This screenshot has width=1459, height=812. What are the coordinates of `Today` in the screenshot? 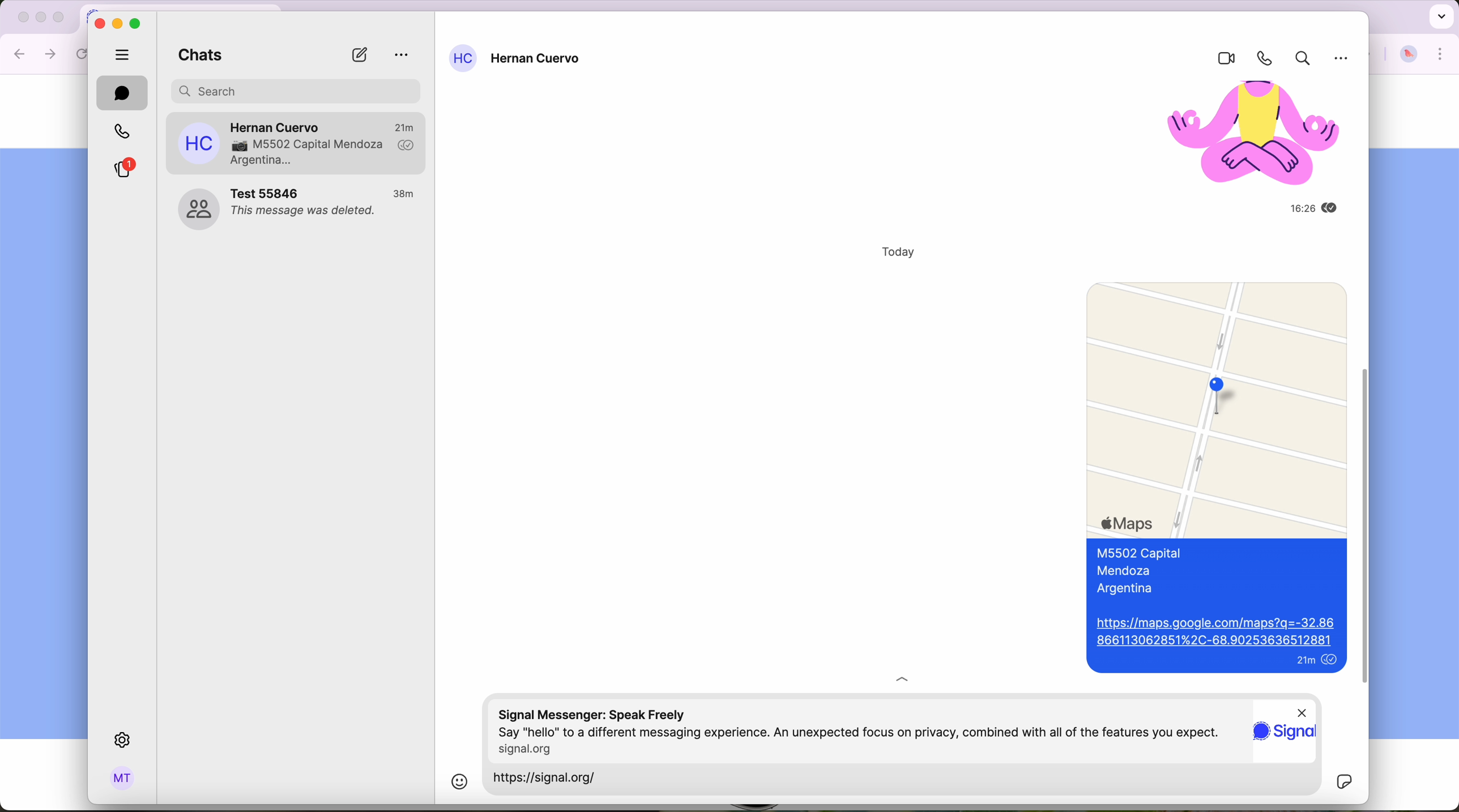 It's located at (895, 253).